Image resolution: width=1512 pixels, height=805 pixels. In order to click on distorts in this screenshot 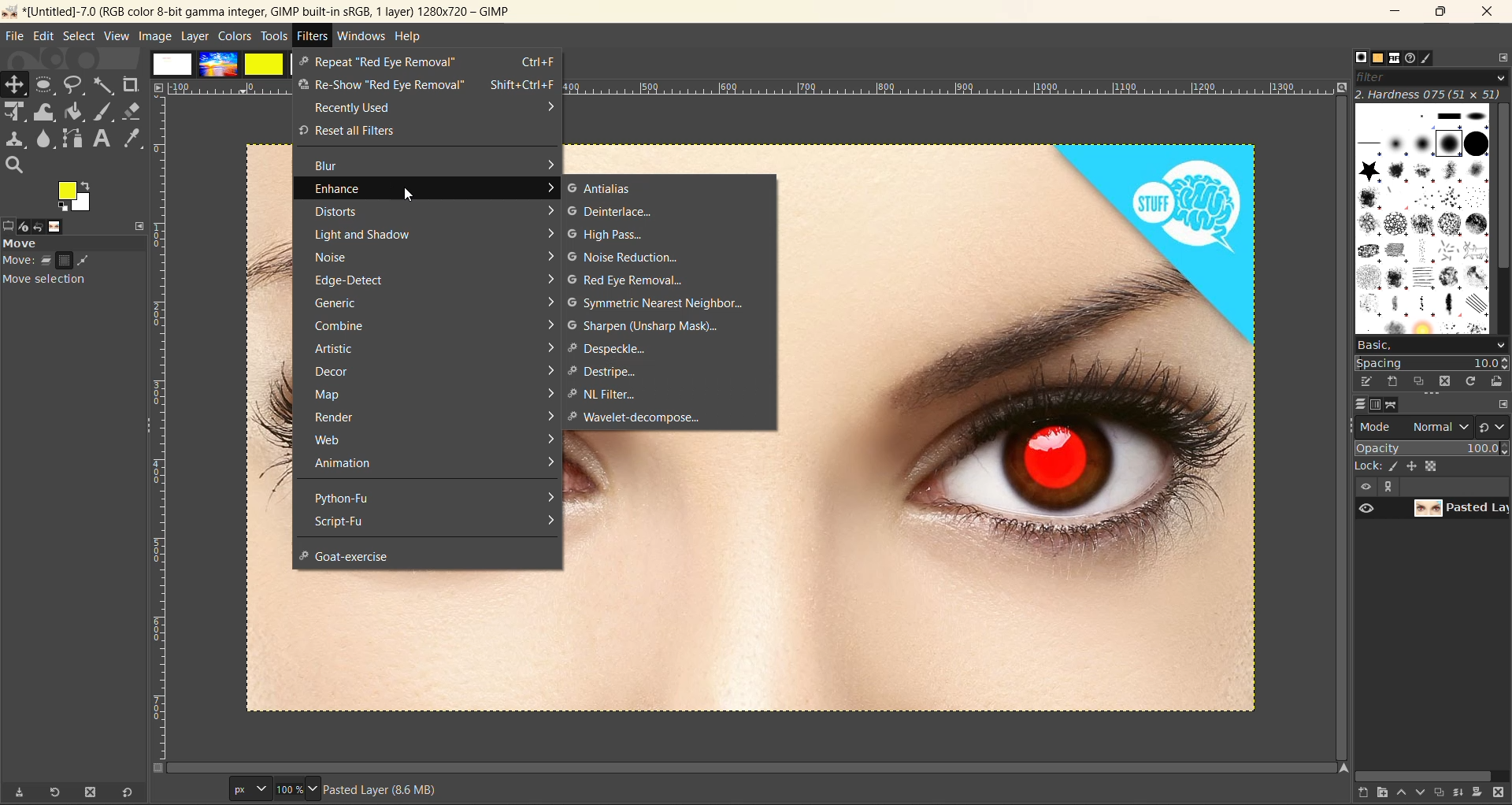, I will do `click(434, 213)`.